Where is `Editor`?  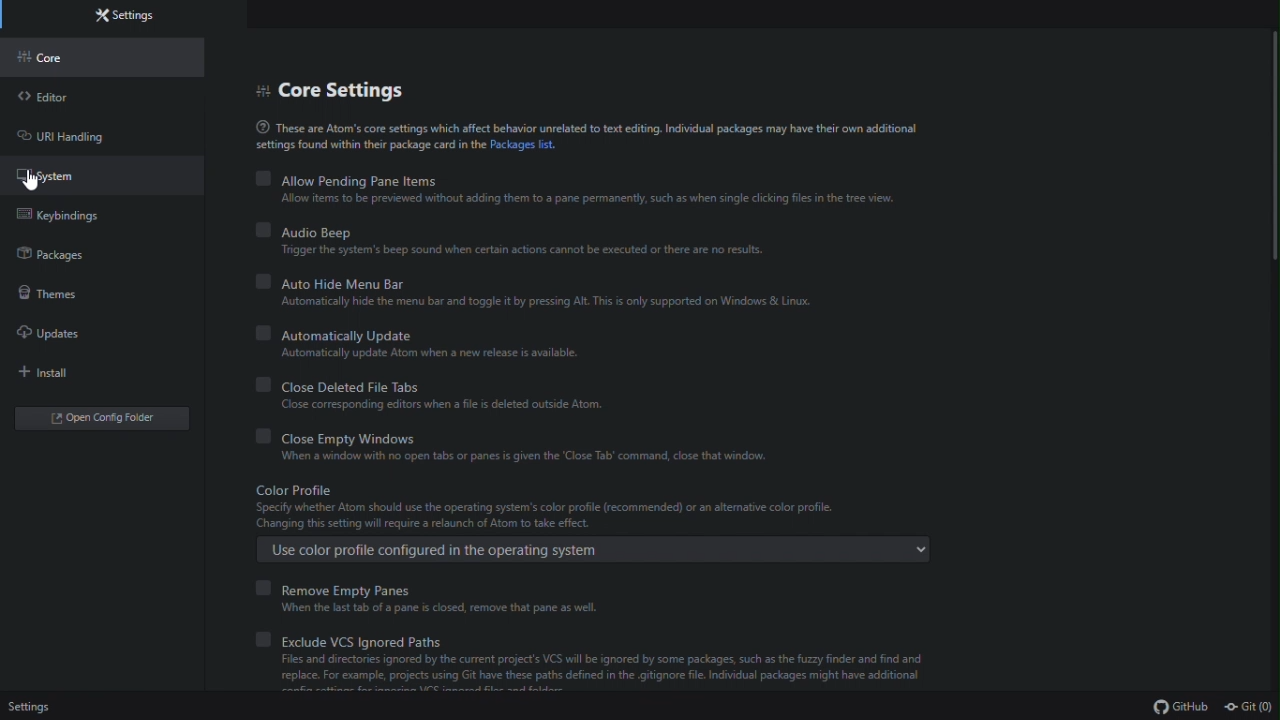 Editor is located at coordinates (72, 101).